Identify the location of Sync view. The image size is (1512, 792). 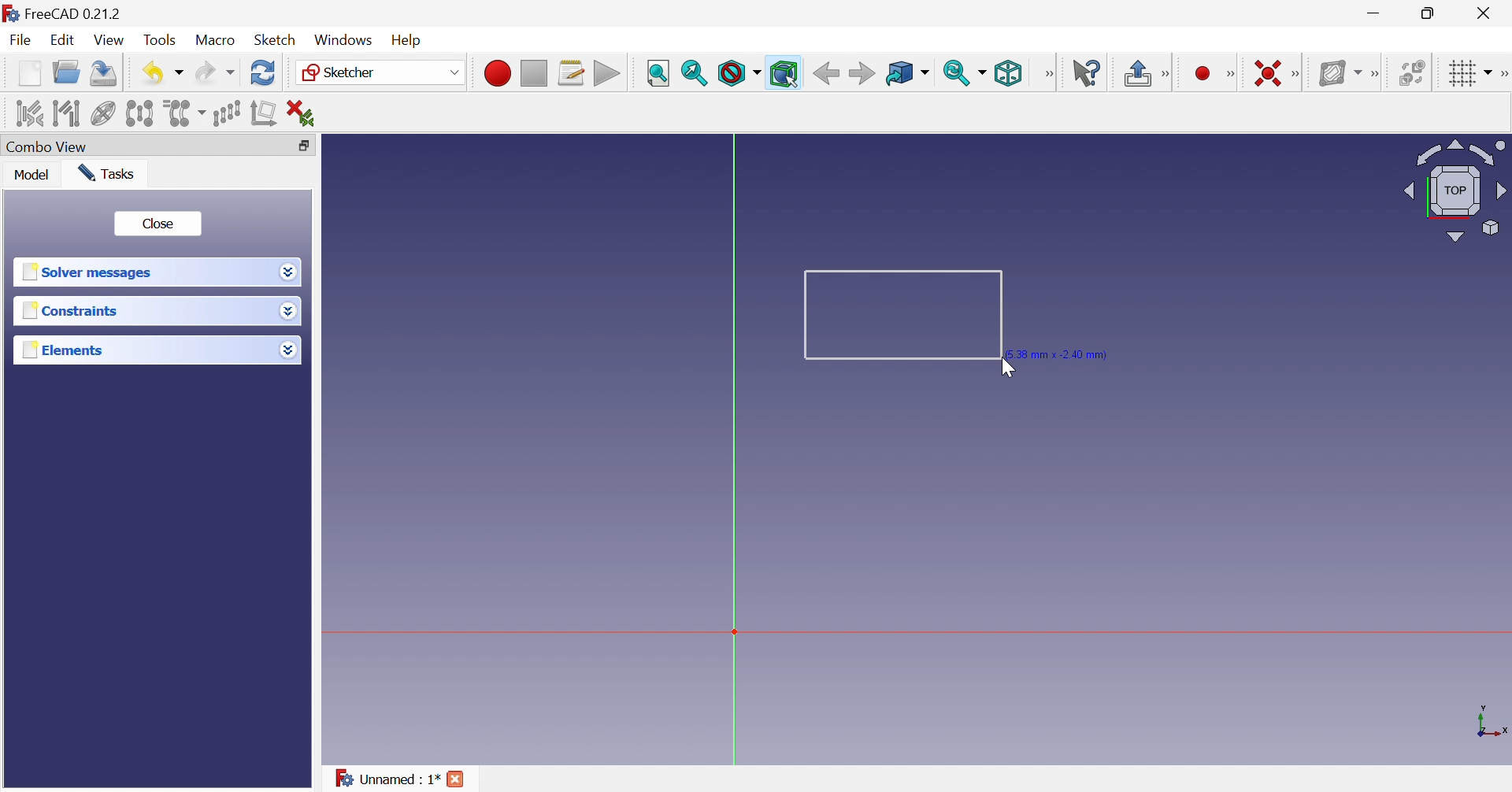
(965, 73).